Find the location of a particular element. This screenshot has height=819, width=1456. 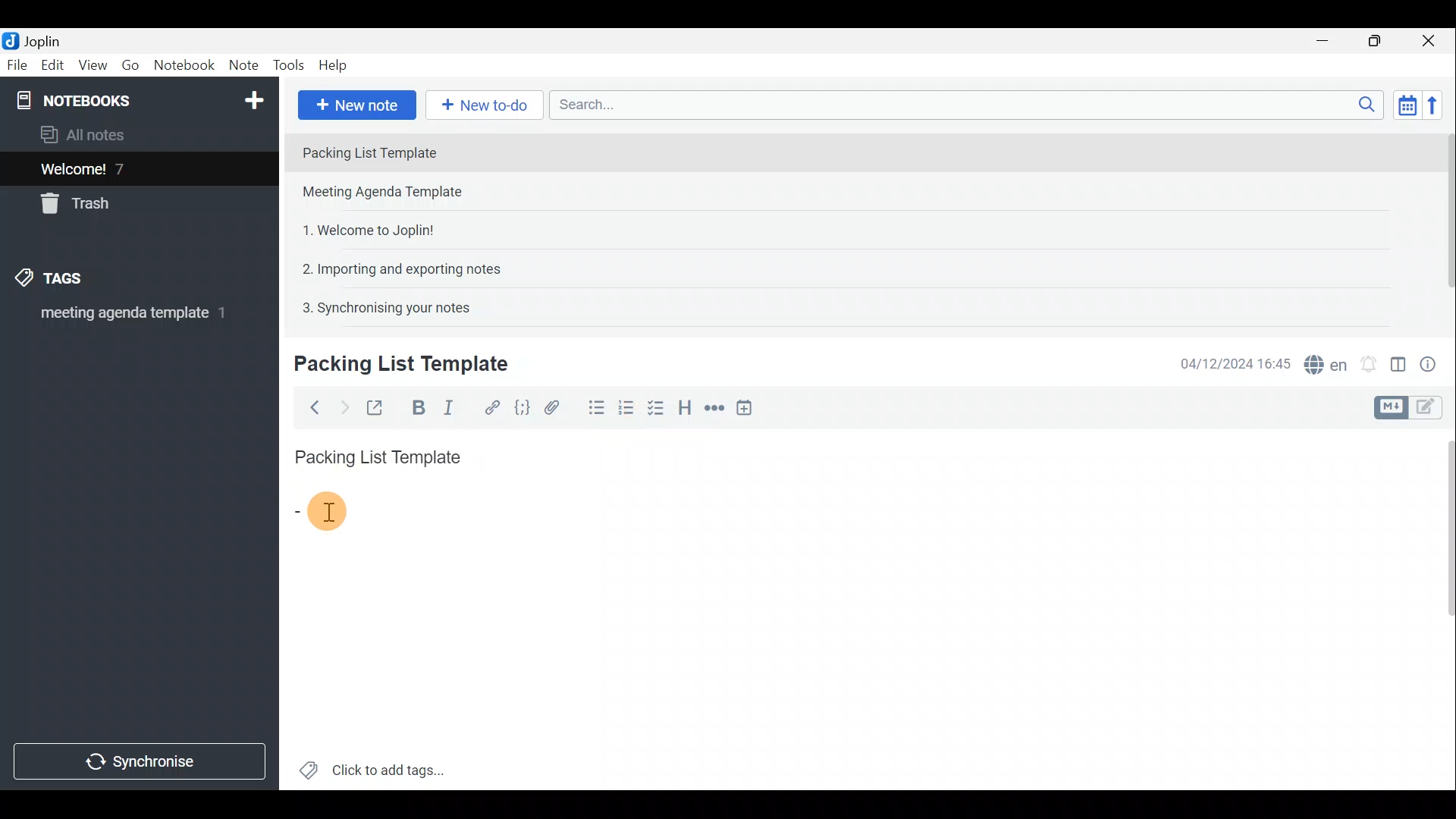

cursor is located at coordinates (328, 512).